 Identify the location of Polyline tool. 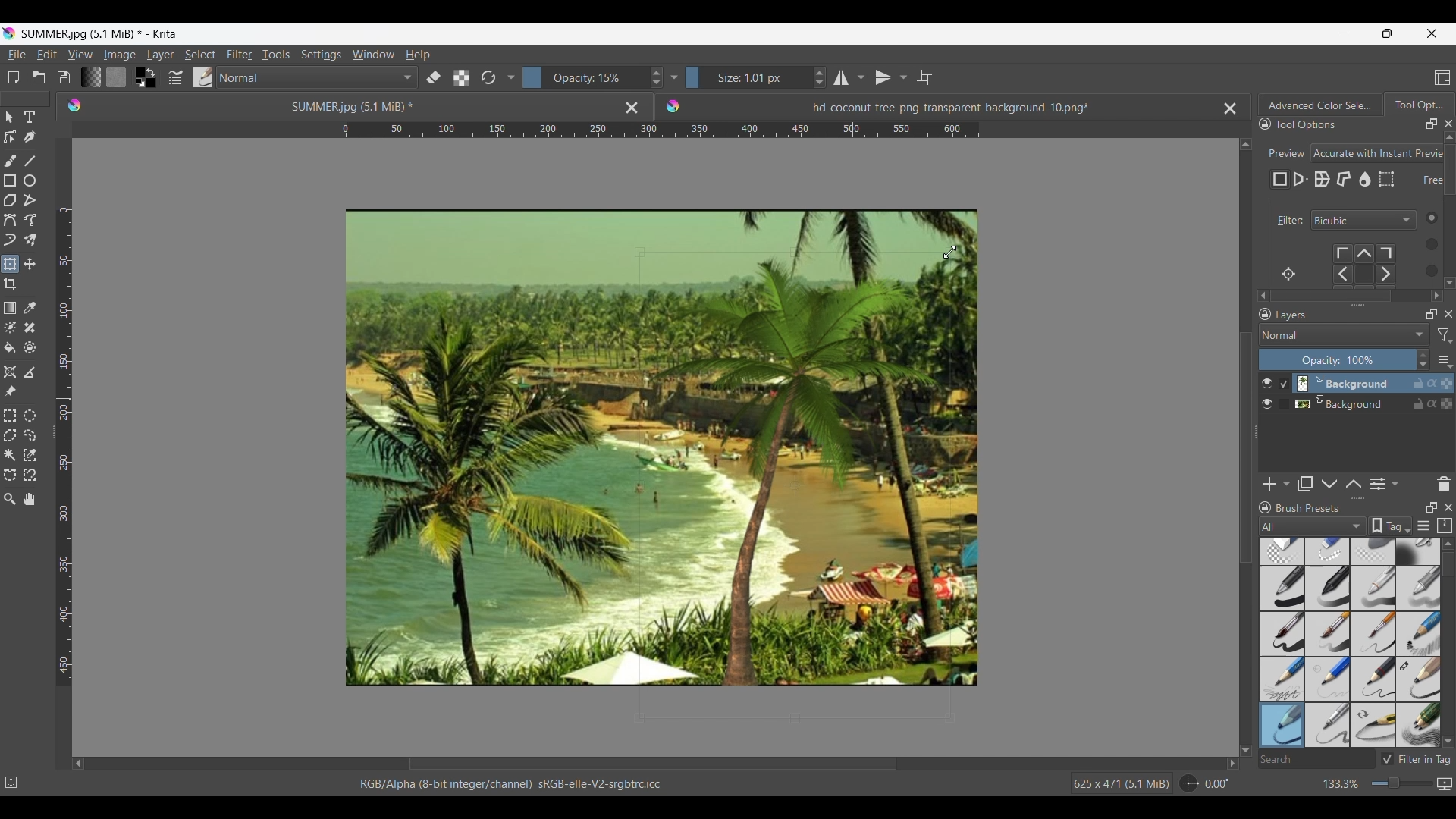
(30, 199).